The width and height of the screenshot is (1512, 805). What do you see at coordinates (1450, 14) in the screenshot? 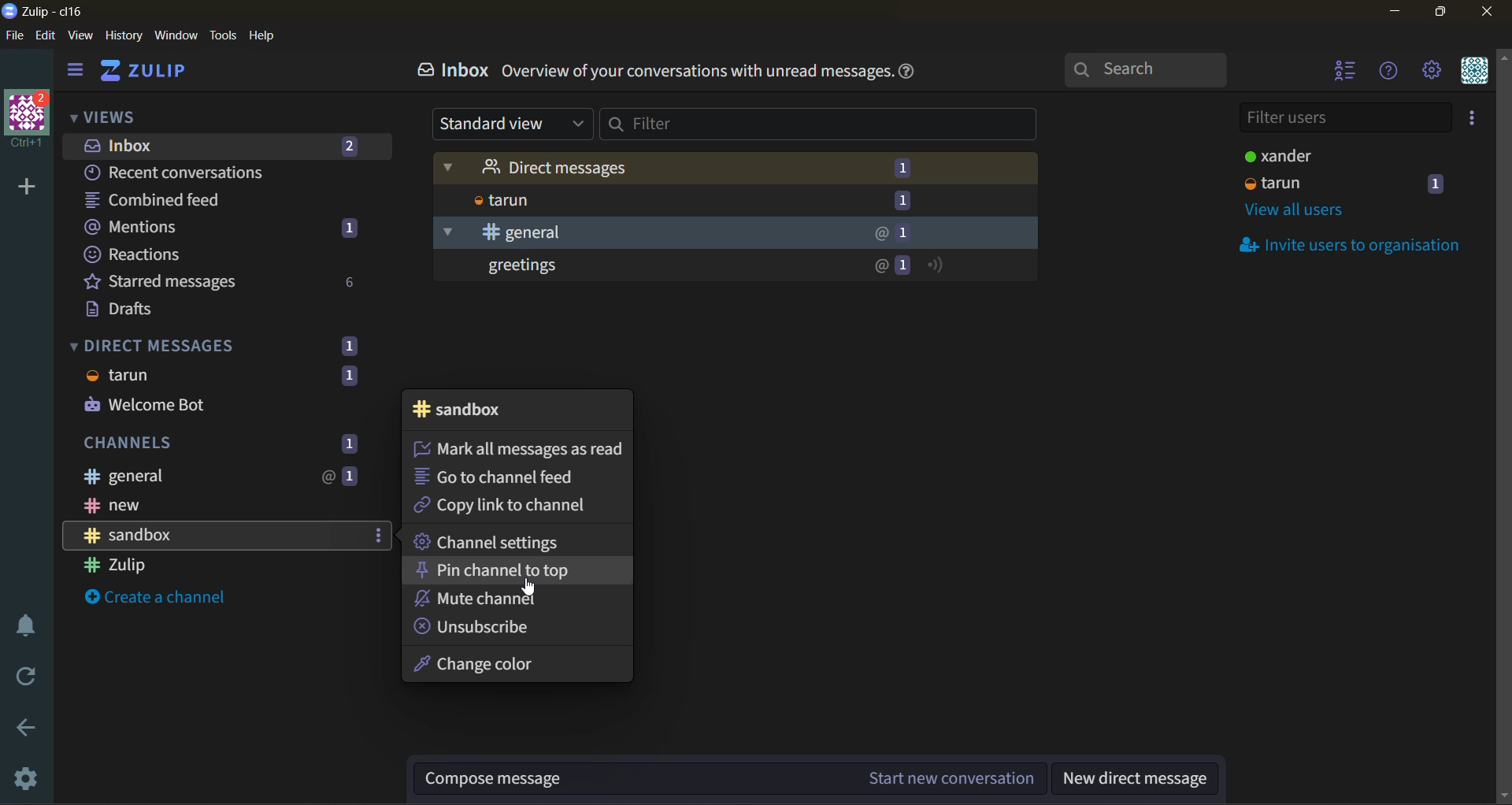
I see `maximize` at bounding box center [1450, 14].